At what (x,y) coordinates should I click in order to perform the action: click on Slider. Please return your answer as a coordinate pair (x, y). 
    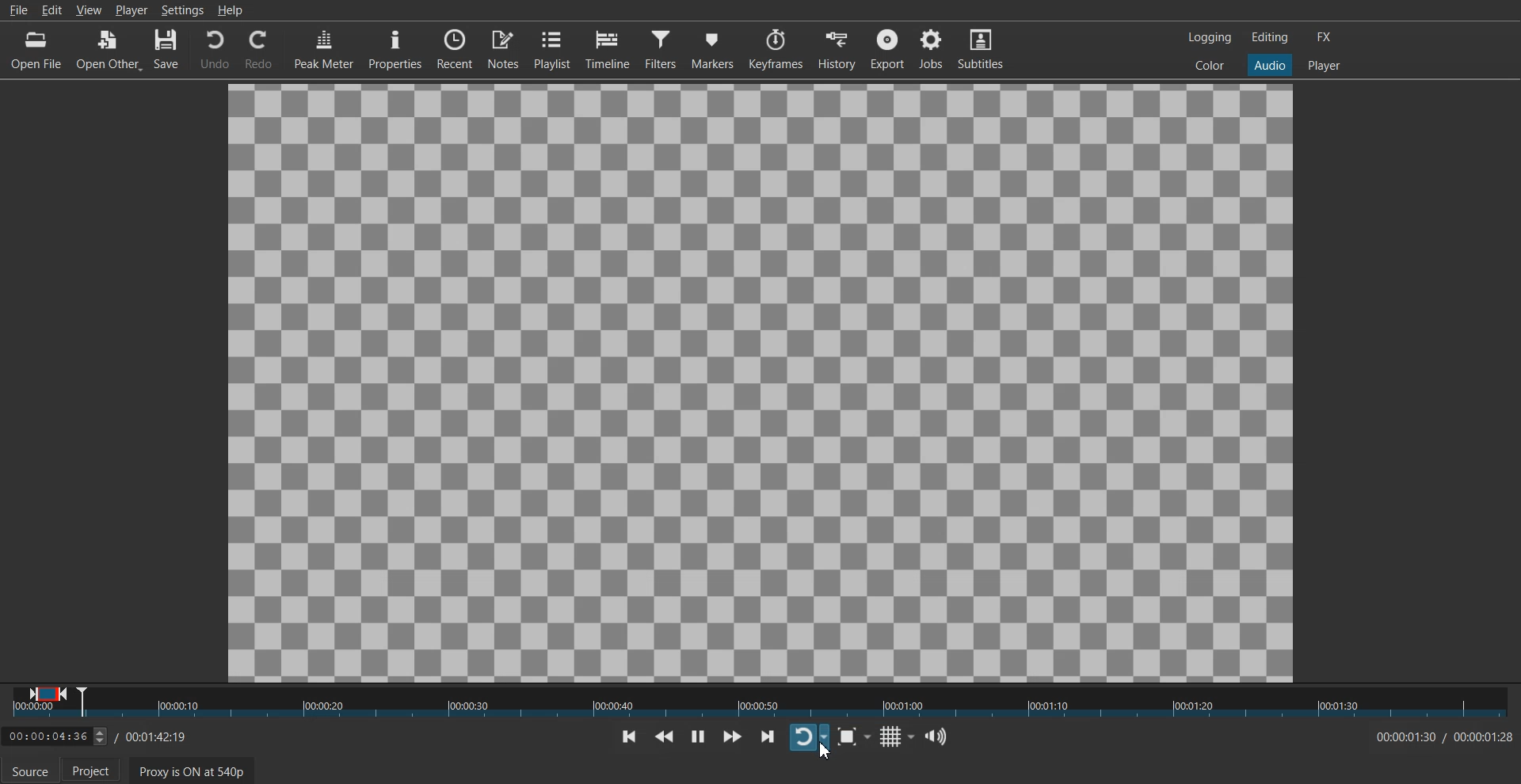
    Looking at the image, I should click on (760, 702).